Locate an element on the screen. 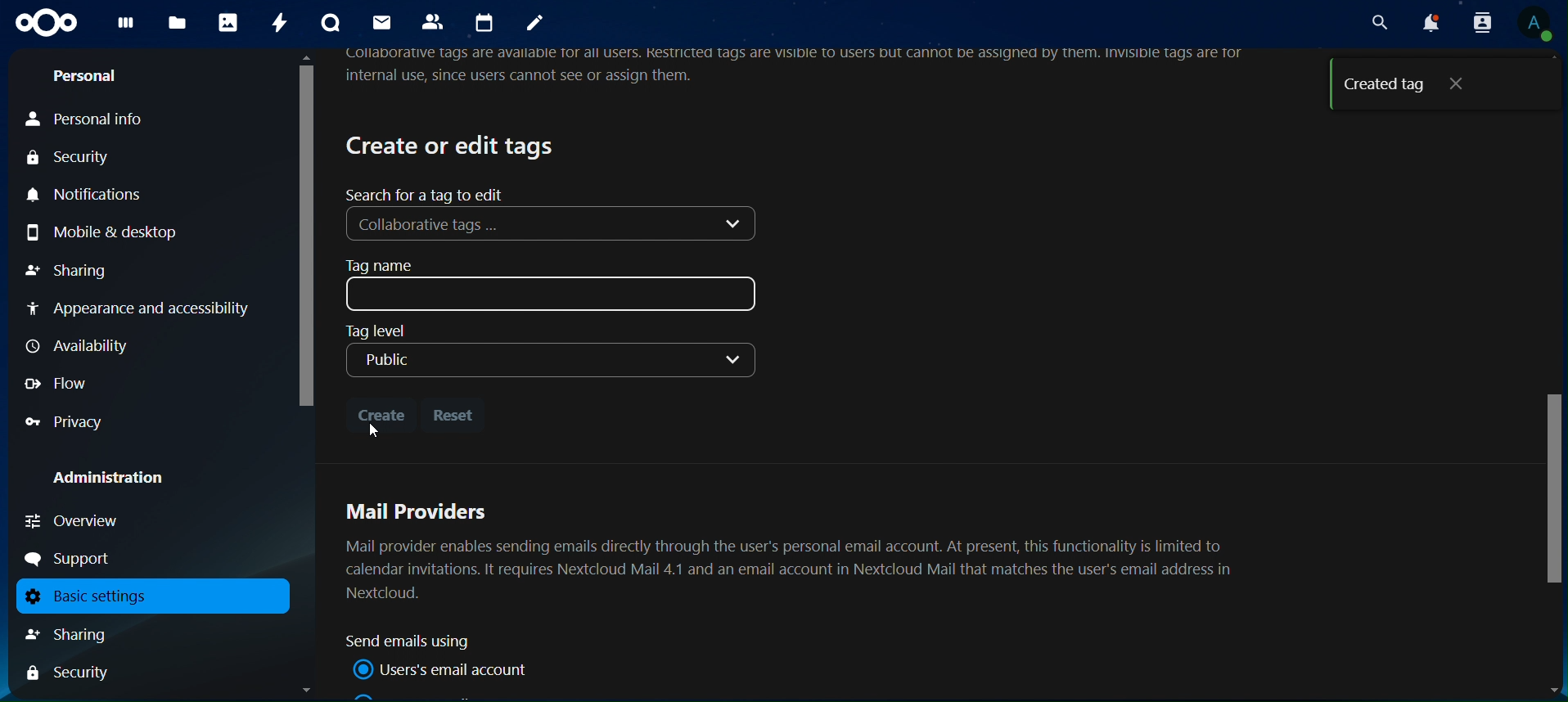 The width and height of the screenshot is (1568, 702). talk is located at coordinates (329, 23).